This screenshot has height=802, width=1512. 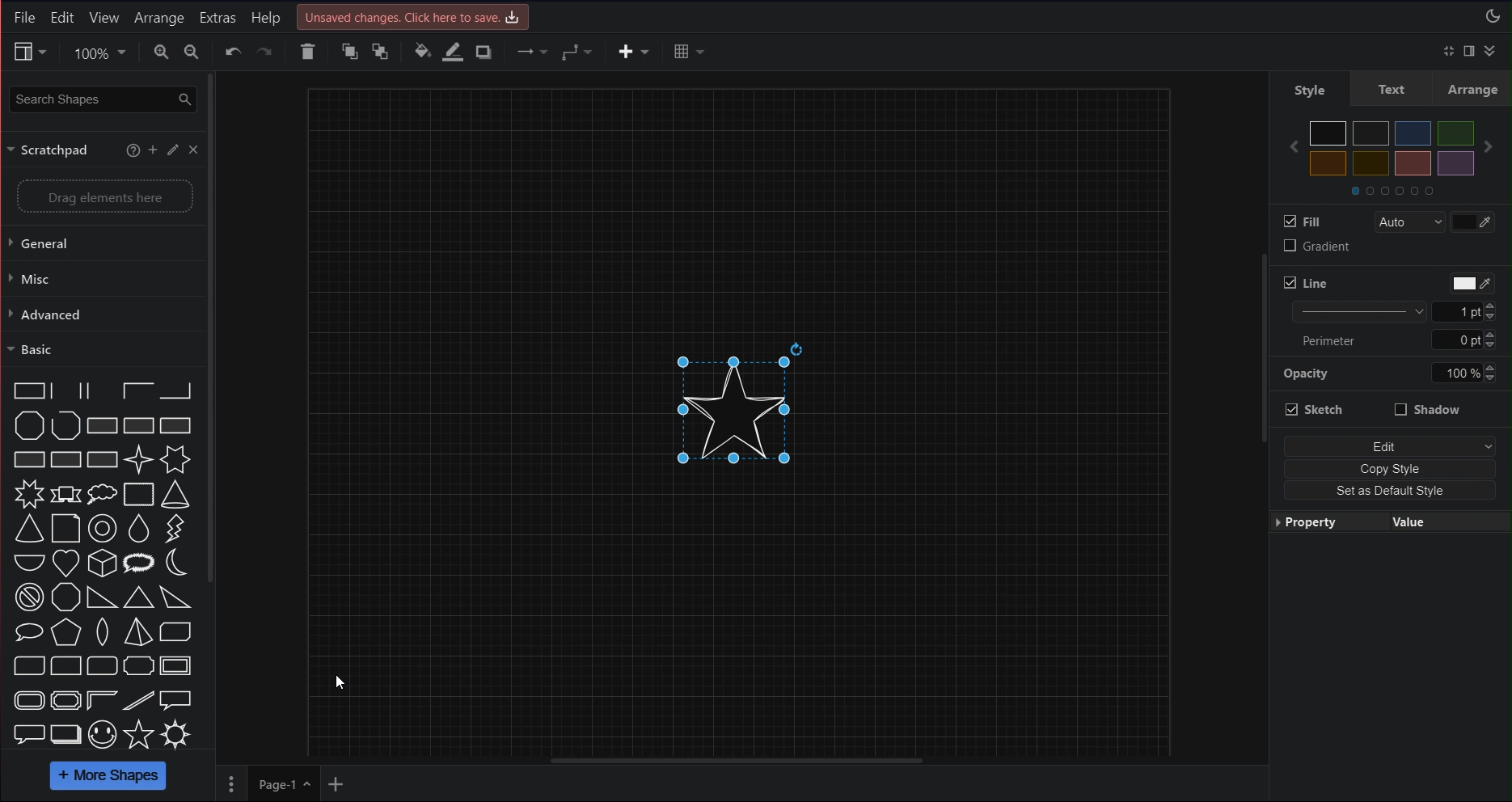 I want to click on Folder, so click(x=1393, y=190).